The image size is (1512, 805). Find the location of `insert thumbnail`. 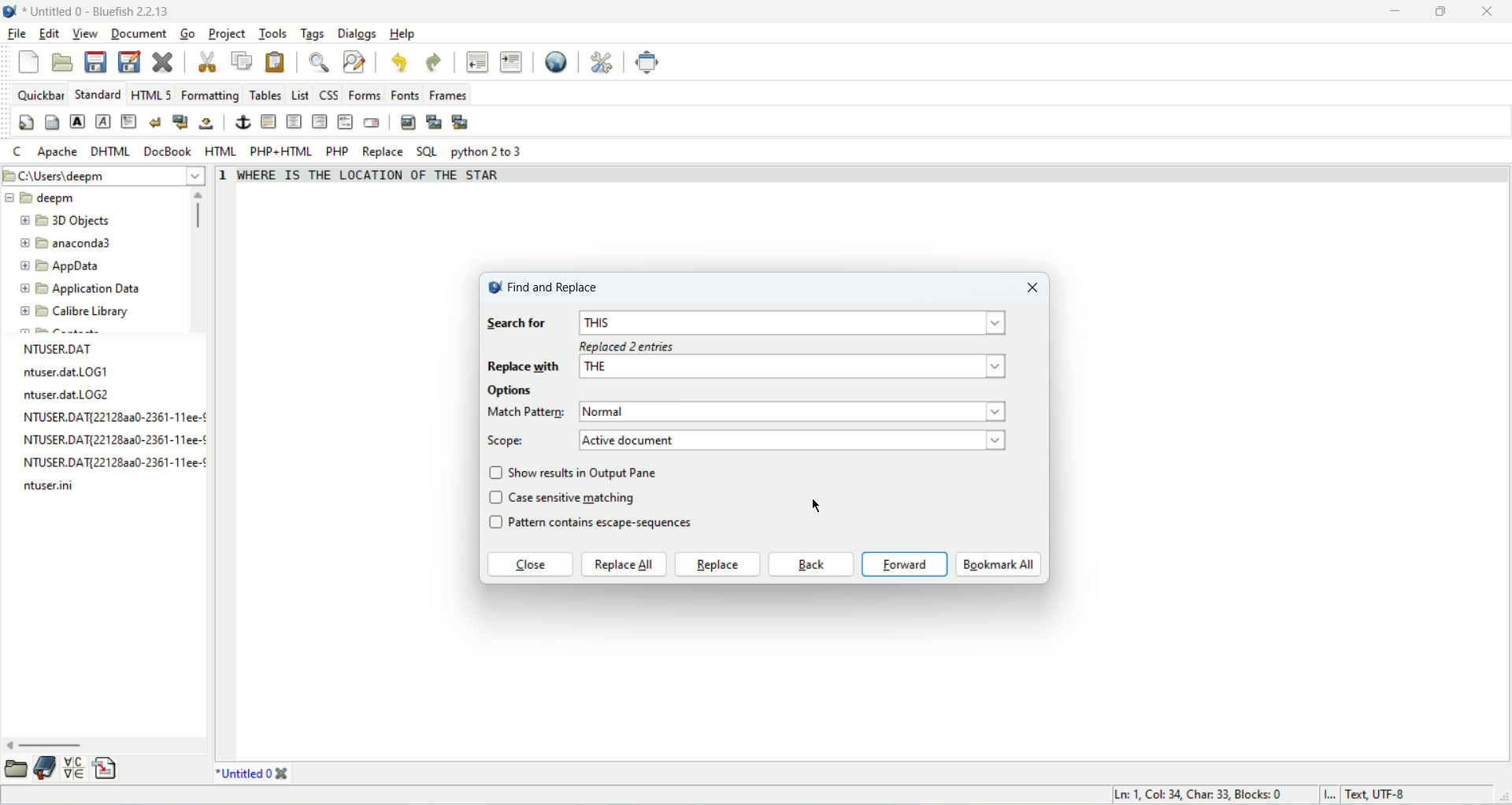

insert thumbnail is located at coordinates (435, 124).